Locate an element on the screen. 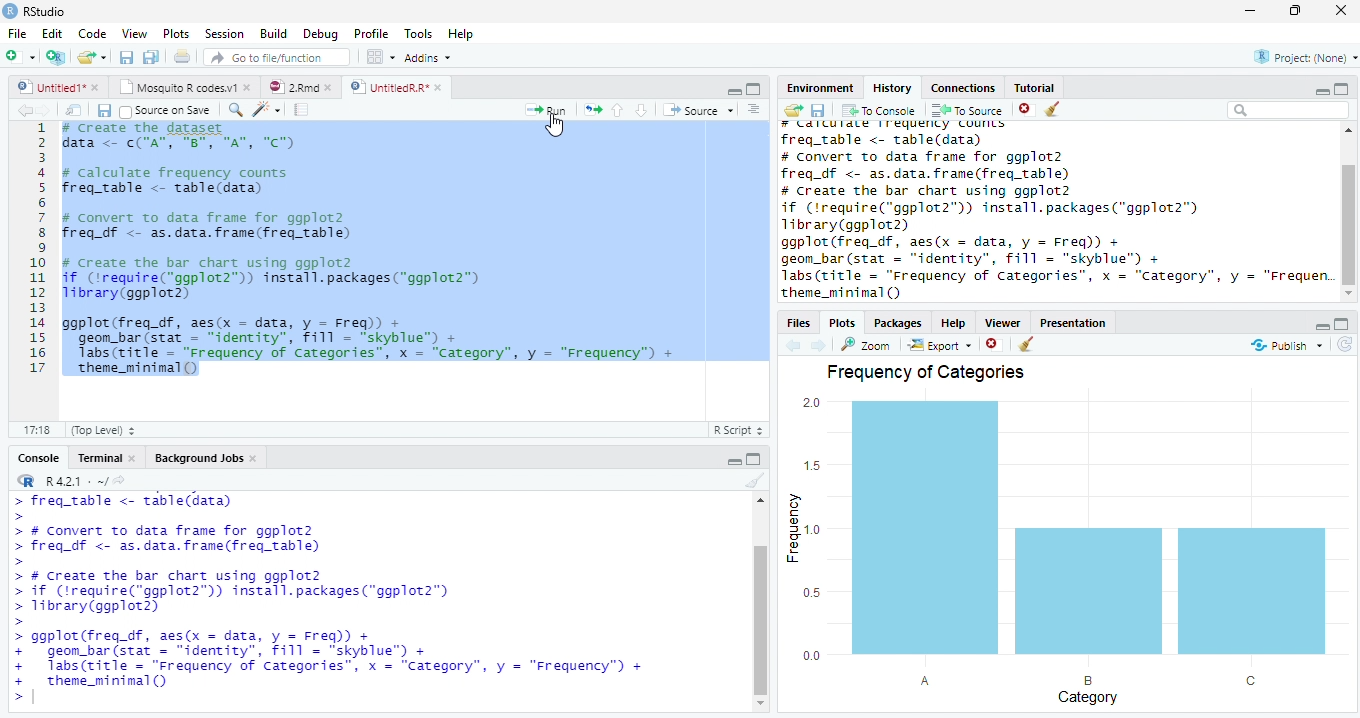 The width and height of the screenshot is (1360, 718). Publish is located at coordinates (1283, 346).